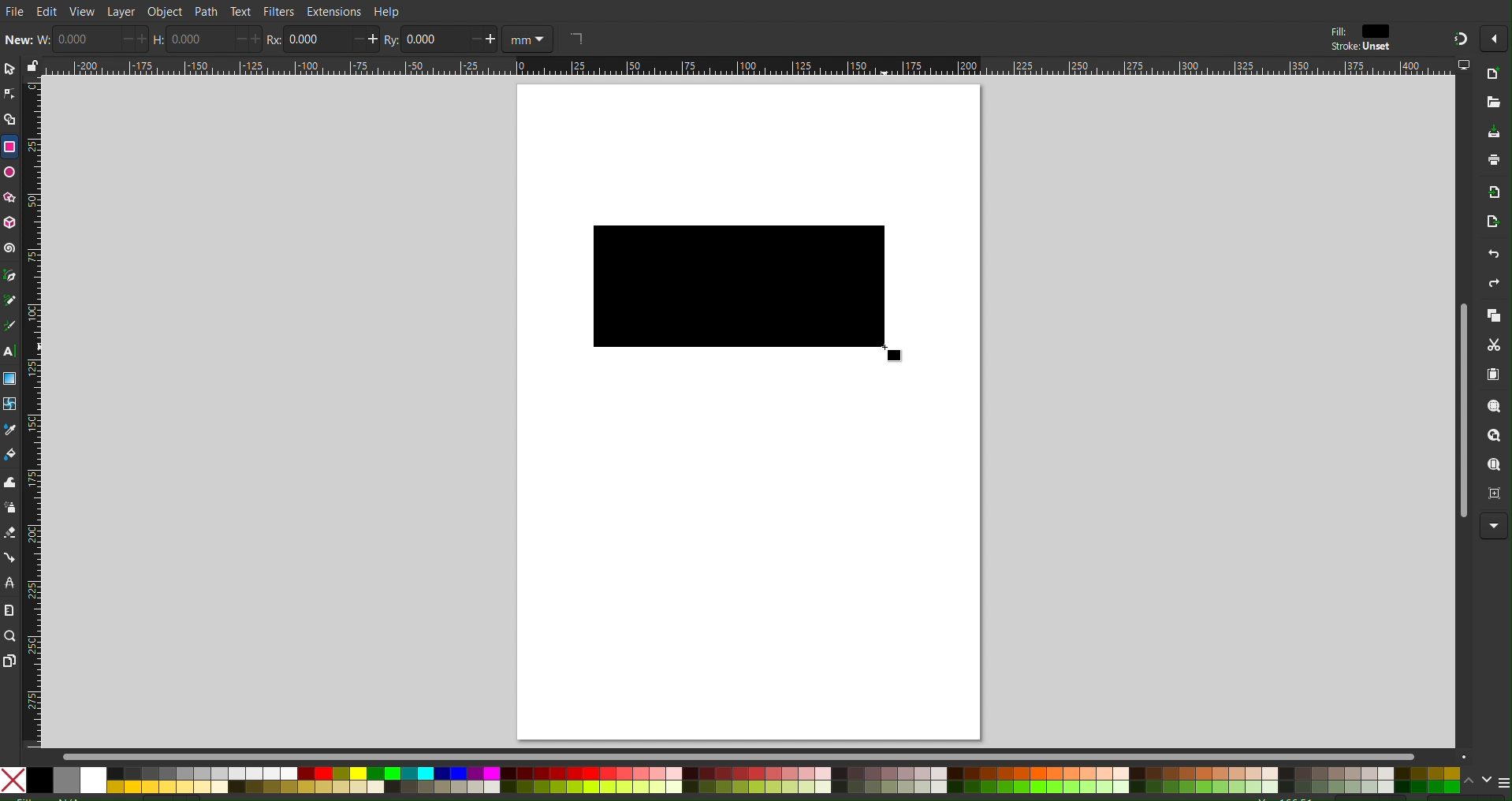 The image size is (1512, 801). Describe the element at coordinates (47, 12) in the screenshot. I see `Edit` at that location.